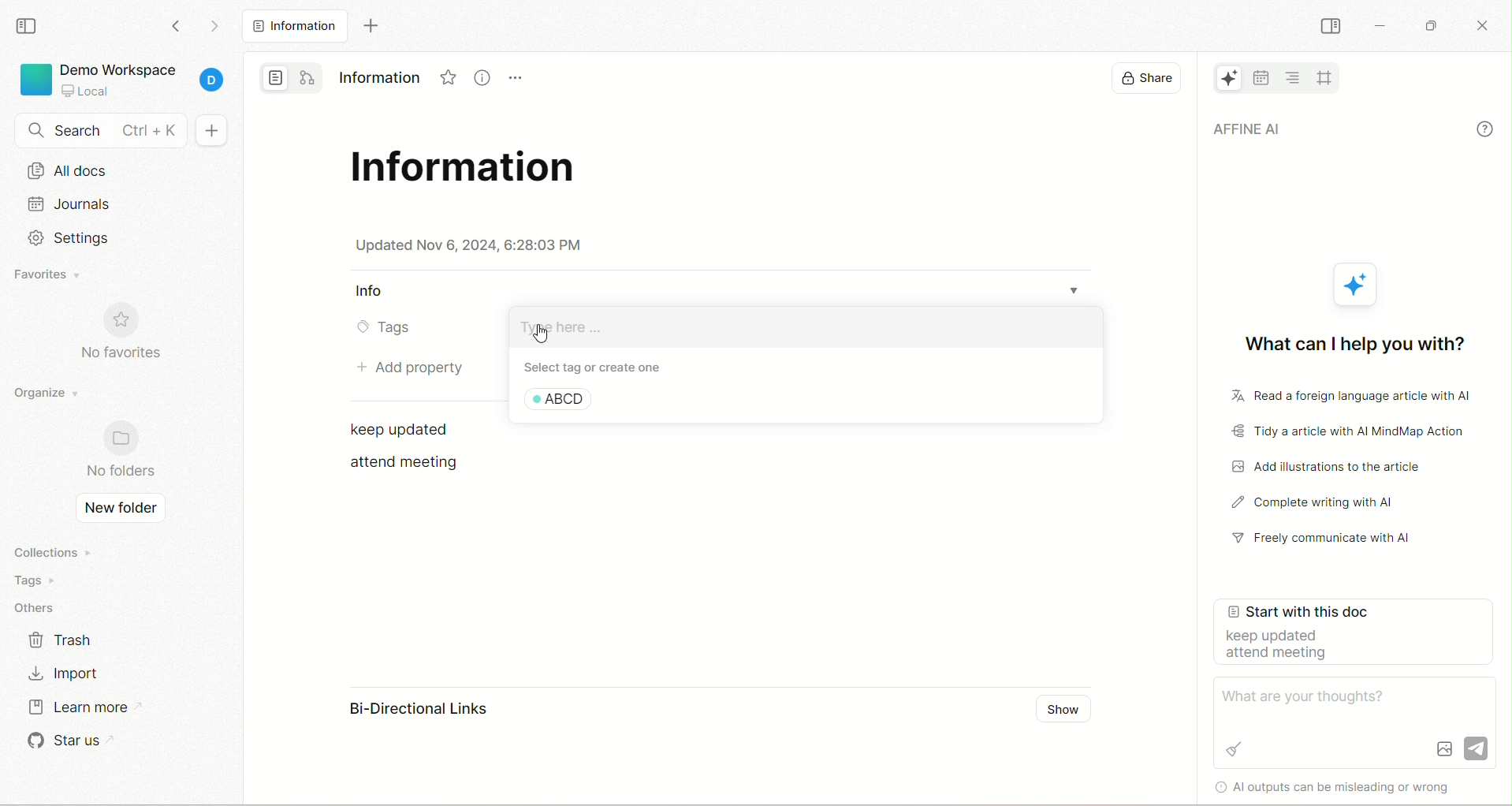  I want to click on go forward, so click(210, 27).